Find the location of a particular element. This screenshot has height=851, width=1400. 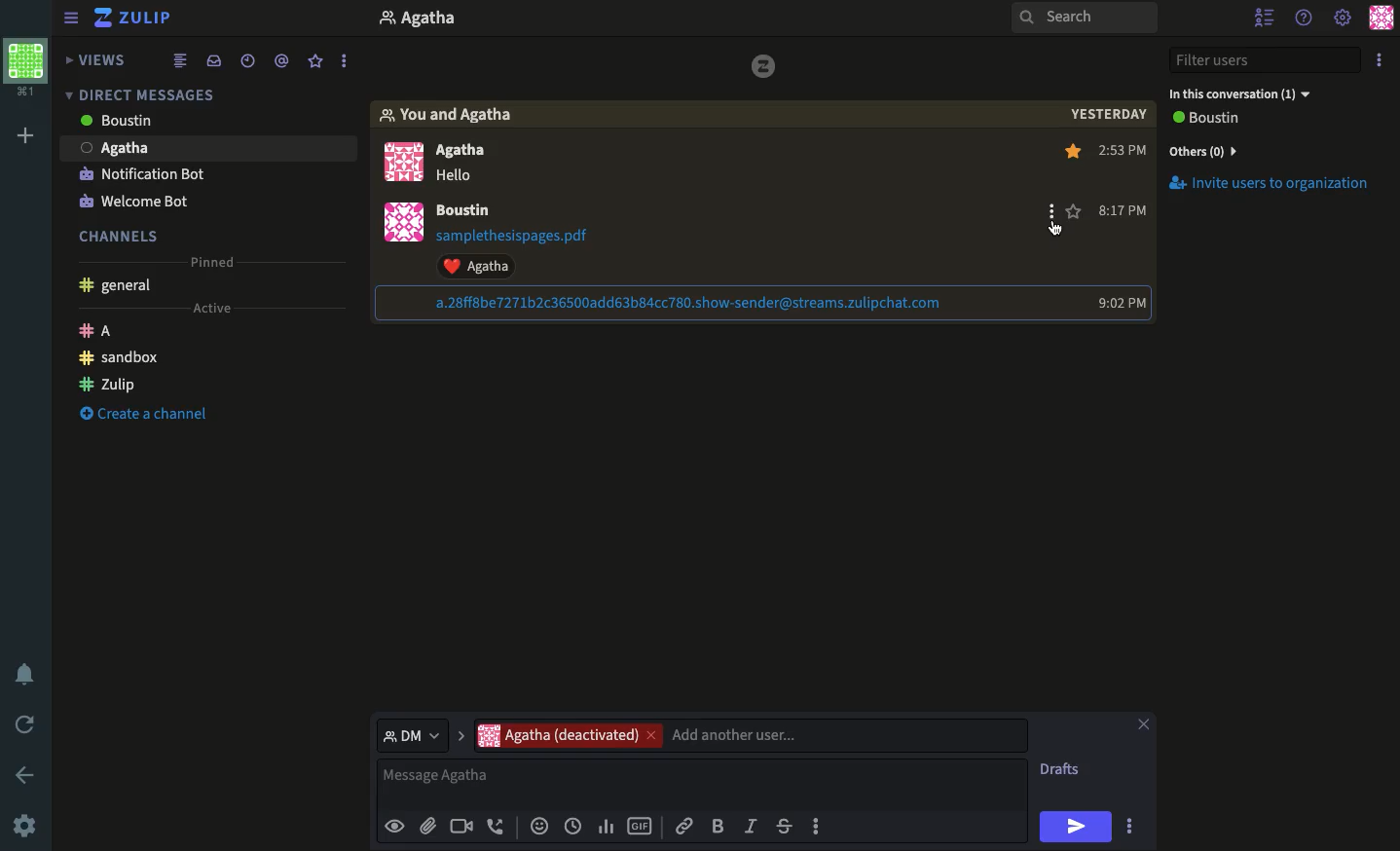

Options is located at coordinates (1379, 59).